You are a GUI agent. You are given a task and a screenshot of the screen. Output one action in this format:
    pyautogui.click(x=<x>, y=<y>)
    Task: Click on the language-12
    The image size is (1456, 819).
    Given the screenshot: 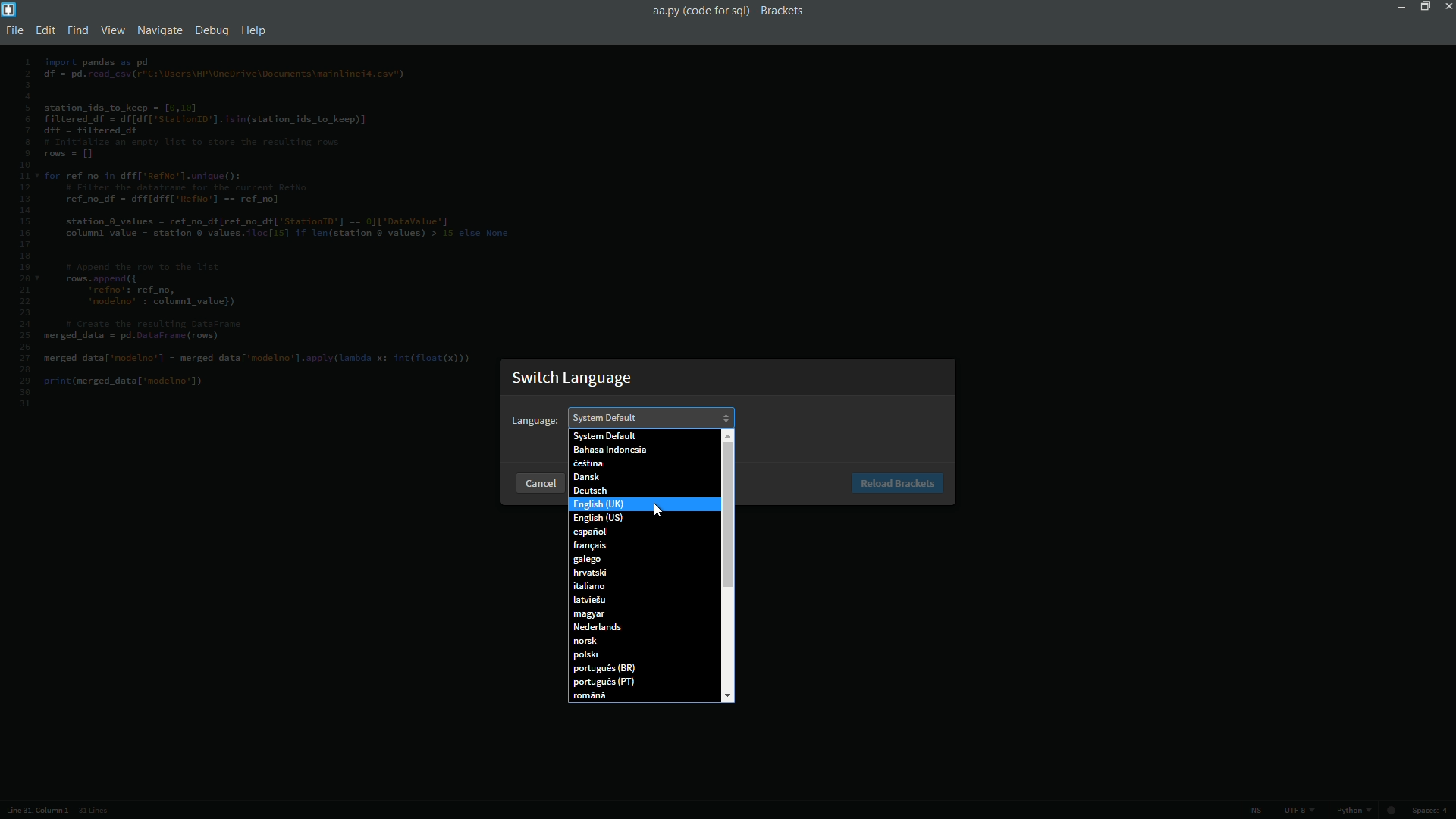 What is the action you would take?
    pyautogui.click(x=589, y=601)
    